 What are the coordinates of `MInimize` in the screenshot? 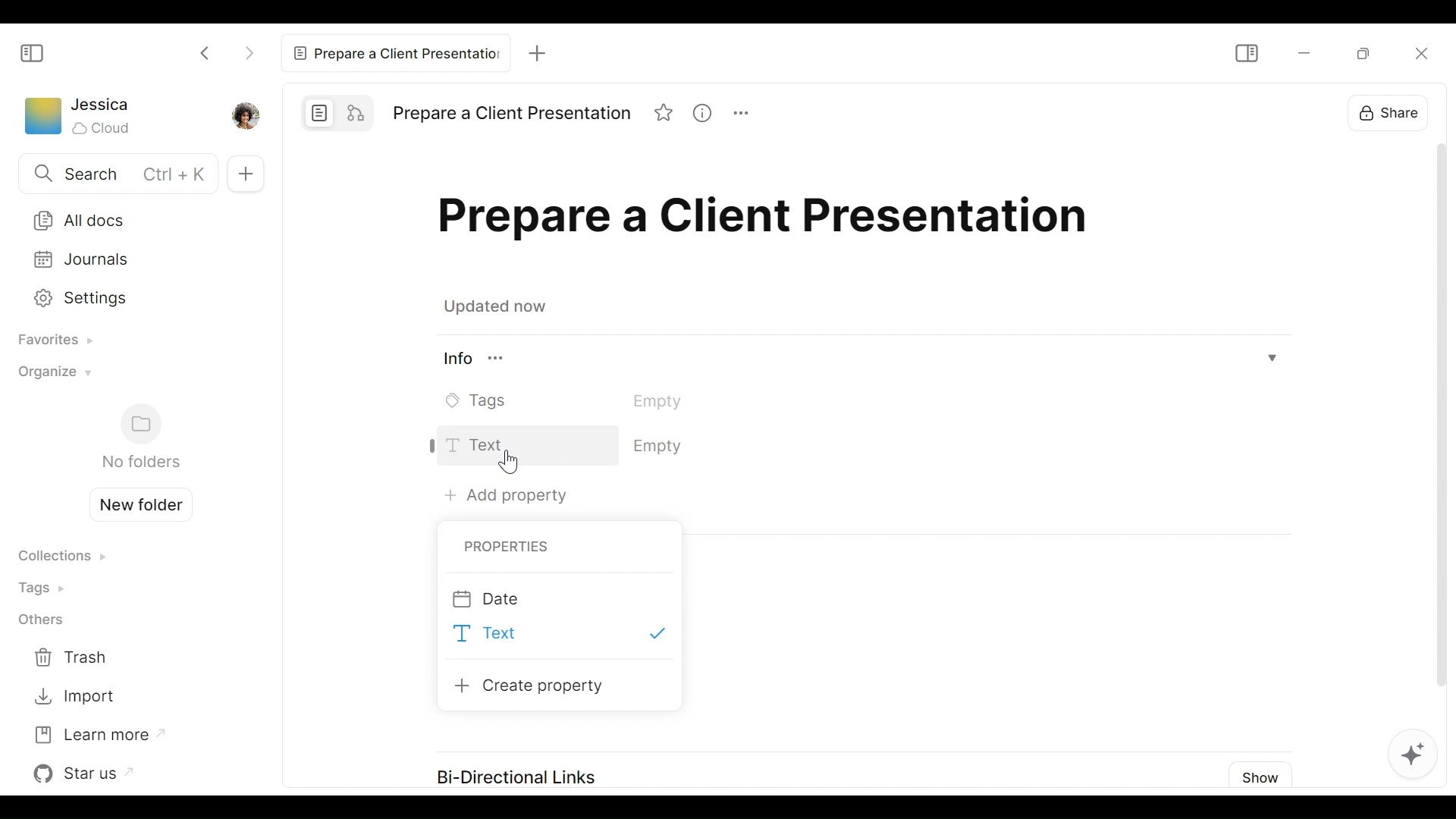 It's located at (1358, 56).